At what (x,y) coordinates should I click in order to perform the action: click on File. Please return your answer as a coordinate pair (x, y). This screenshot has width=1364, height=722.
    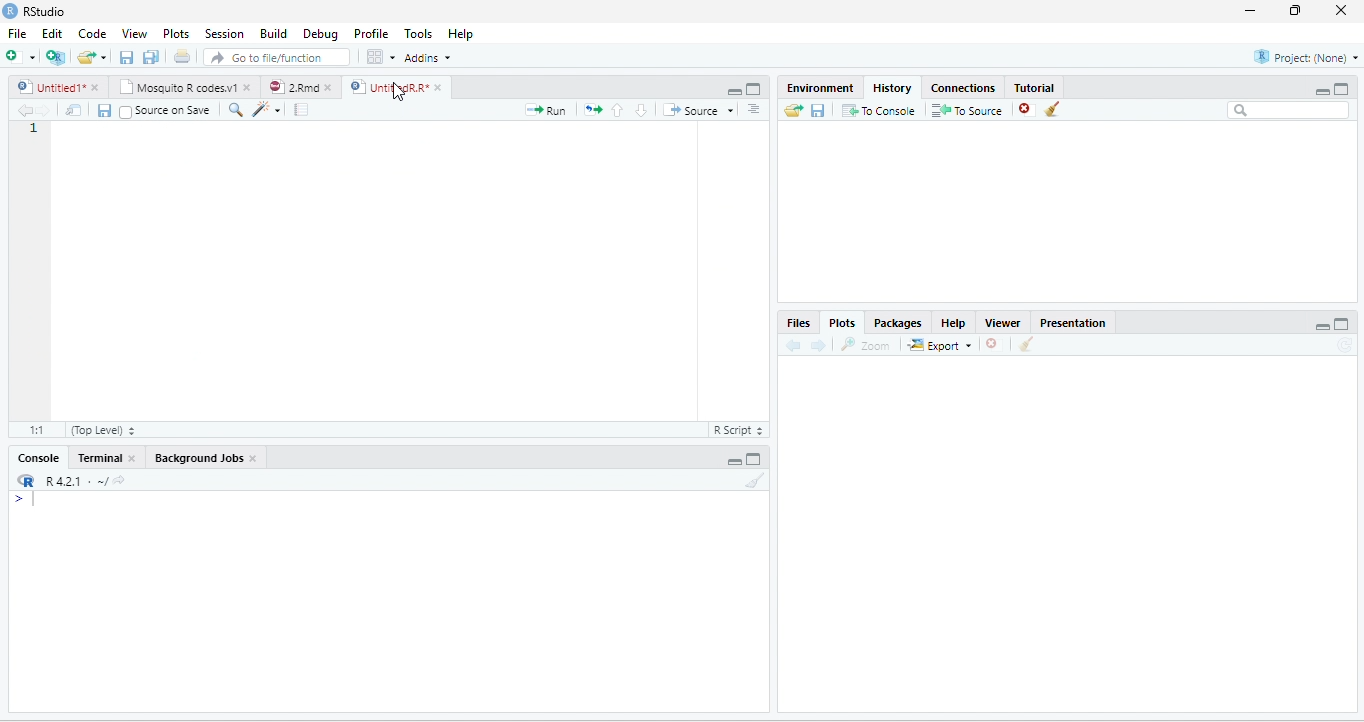
    Looking at the image, I should click on (18, 33).